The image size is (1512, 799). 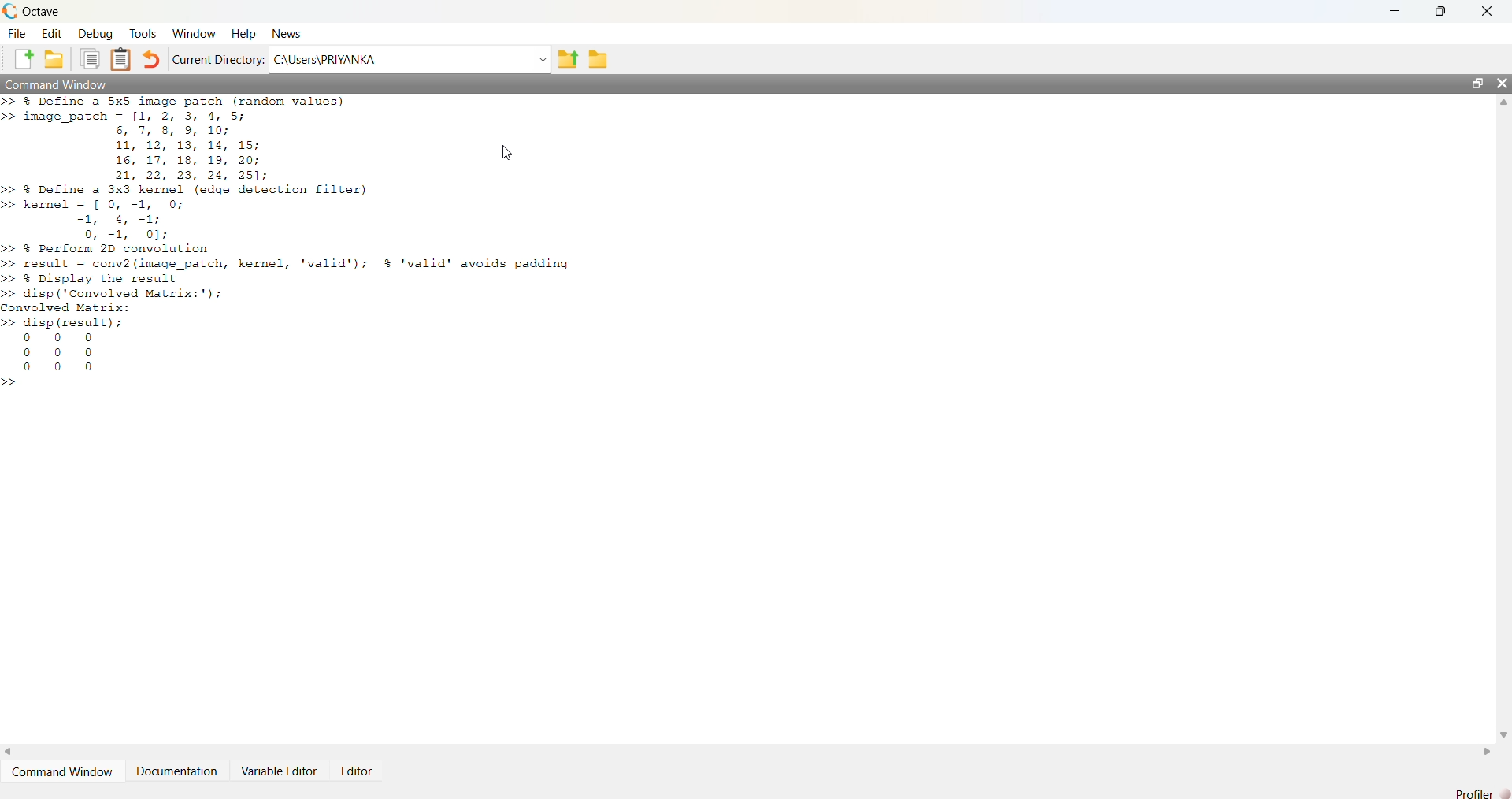 What do you see at coordinates (122, 58) in the screenshot?
I see `Paste` at bounding box center [122, 58].